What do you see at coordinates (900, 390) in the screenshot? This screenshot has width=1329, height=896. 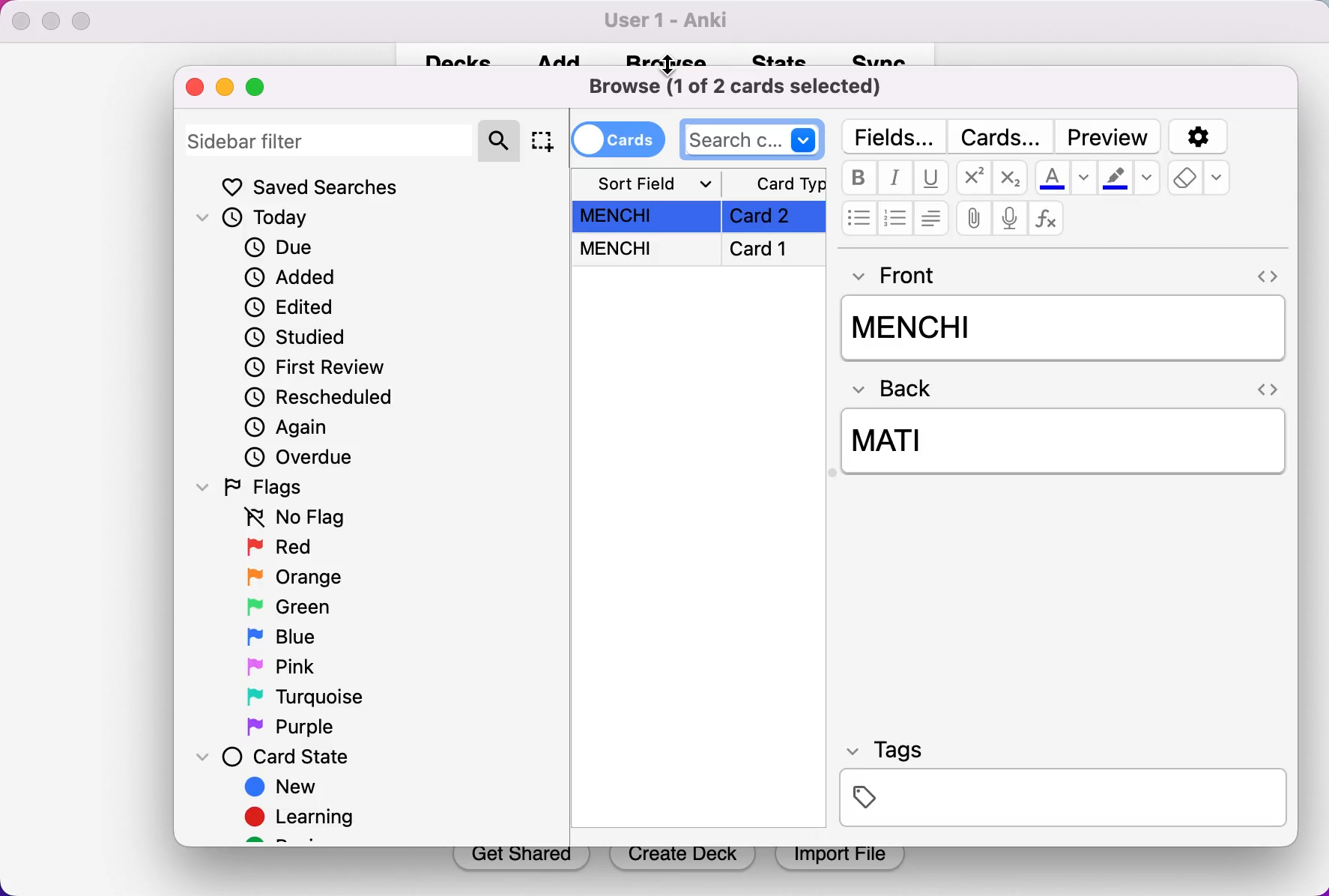 I see `back` at bounding box center [900, 390].